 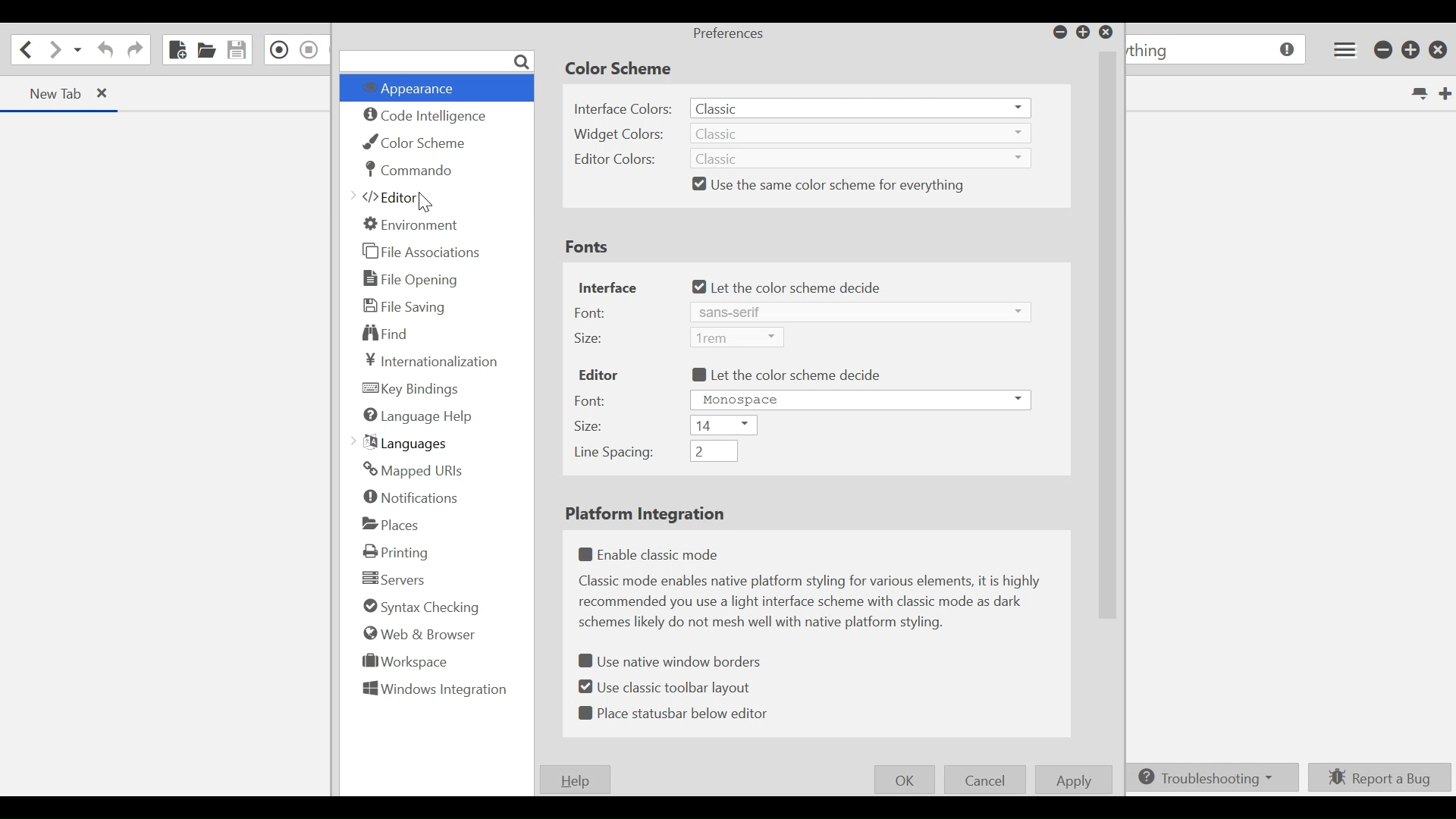 What do you see at coordinates (793, 287) in the screenshot?
I see `Let the color scheme decide` at bounding box center [793, 287].